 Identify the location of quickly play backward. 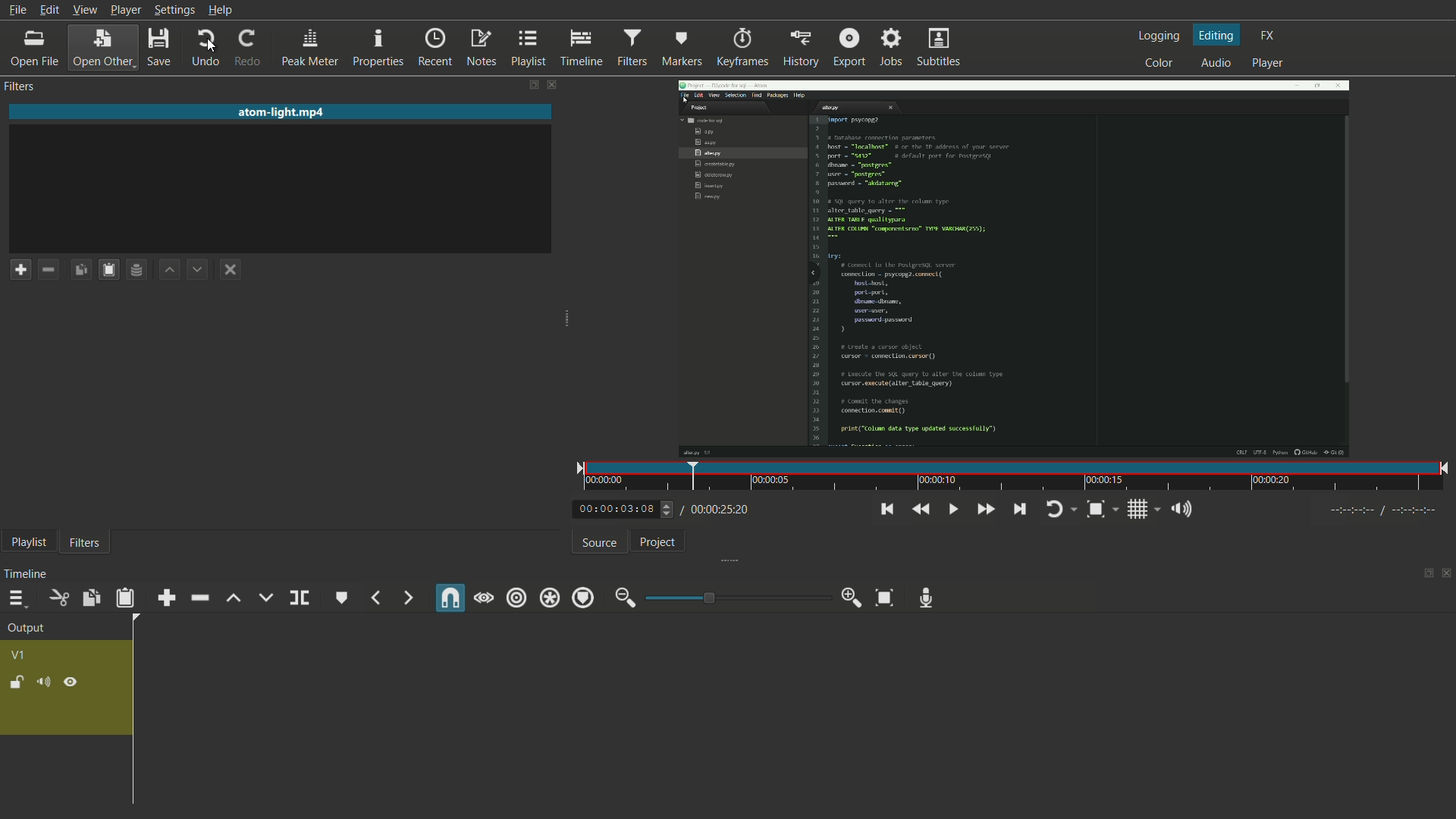
(922, 510).